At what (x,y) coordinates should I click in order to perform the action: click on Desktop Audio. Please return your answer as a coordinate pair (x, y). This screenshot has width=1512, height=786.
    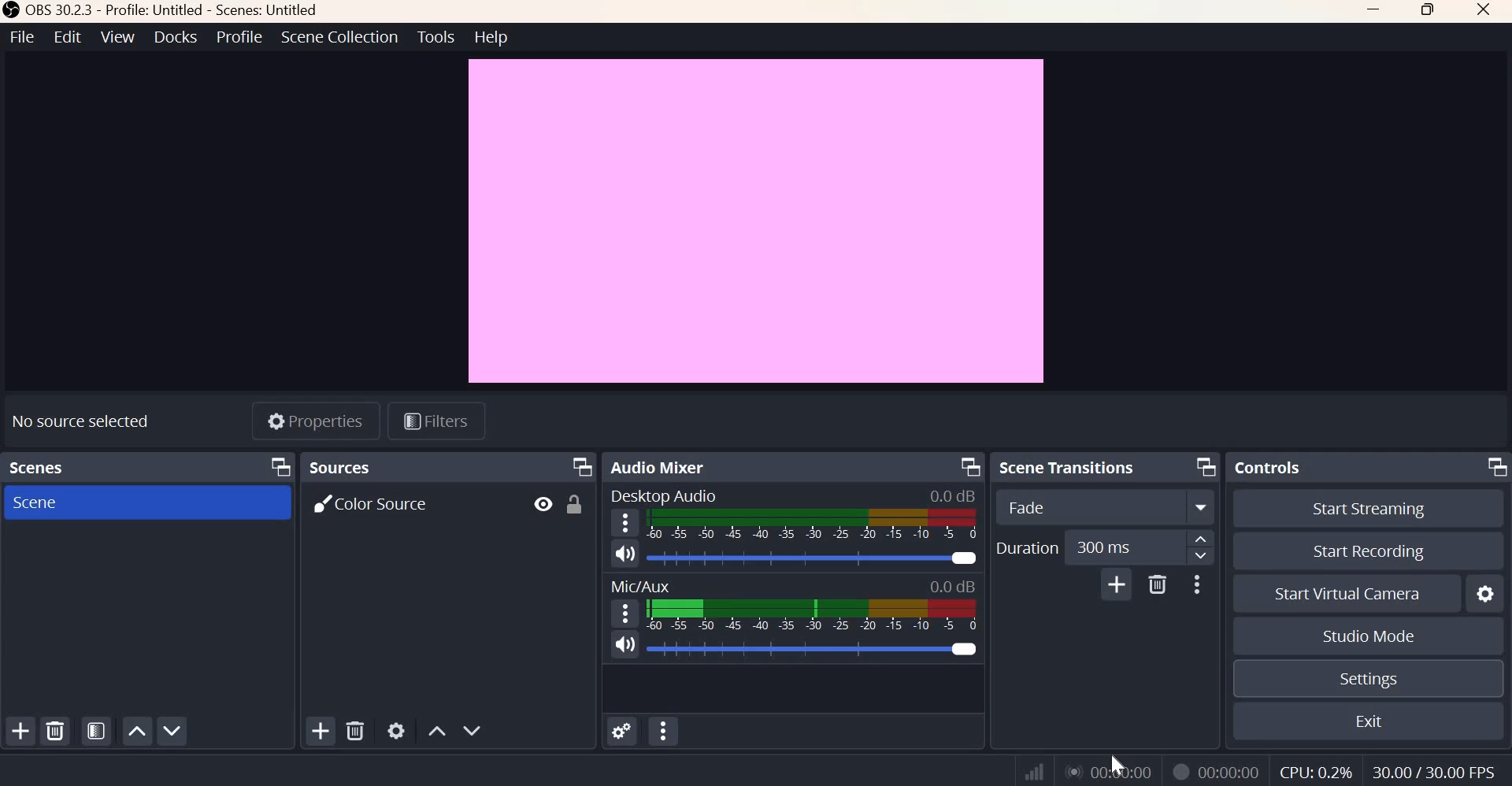
    Looking at the image, I should click on (668, 495).